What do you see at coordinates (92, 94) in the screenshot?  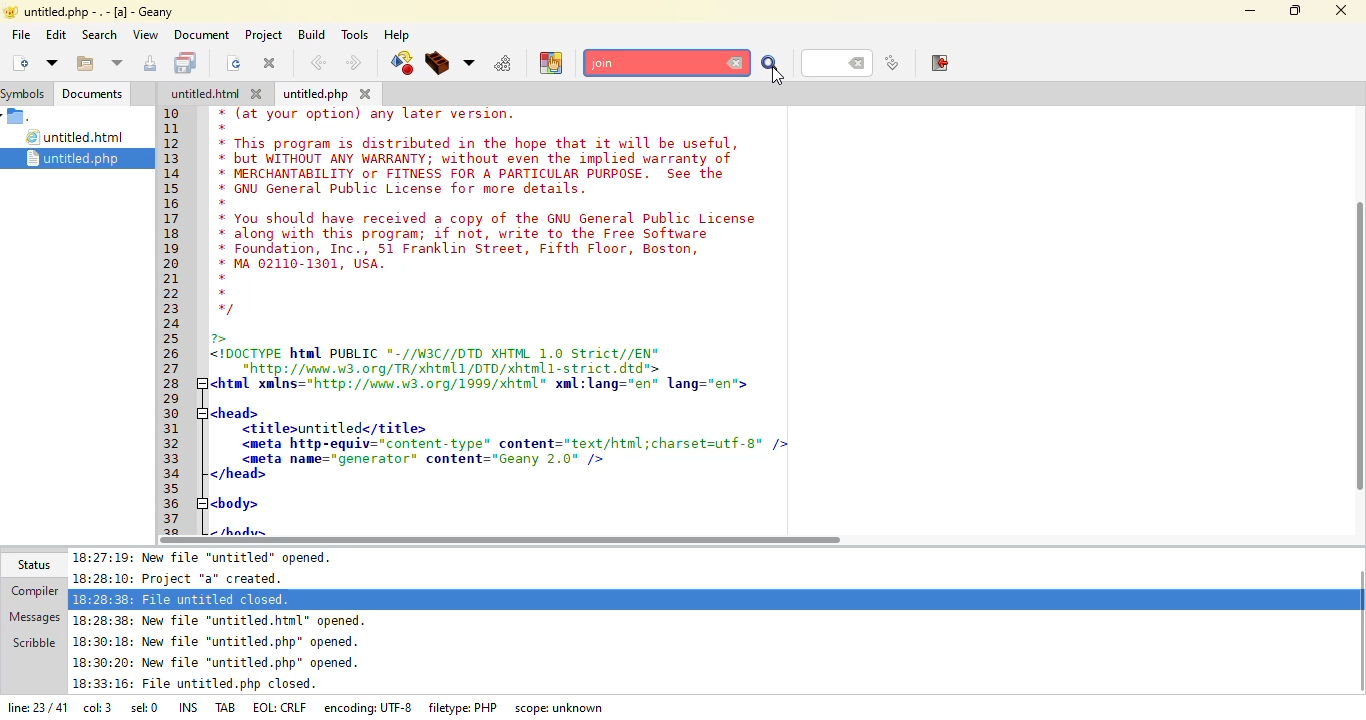 I see `documents` at bounding box center [92, 94].